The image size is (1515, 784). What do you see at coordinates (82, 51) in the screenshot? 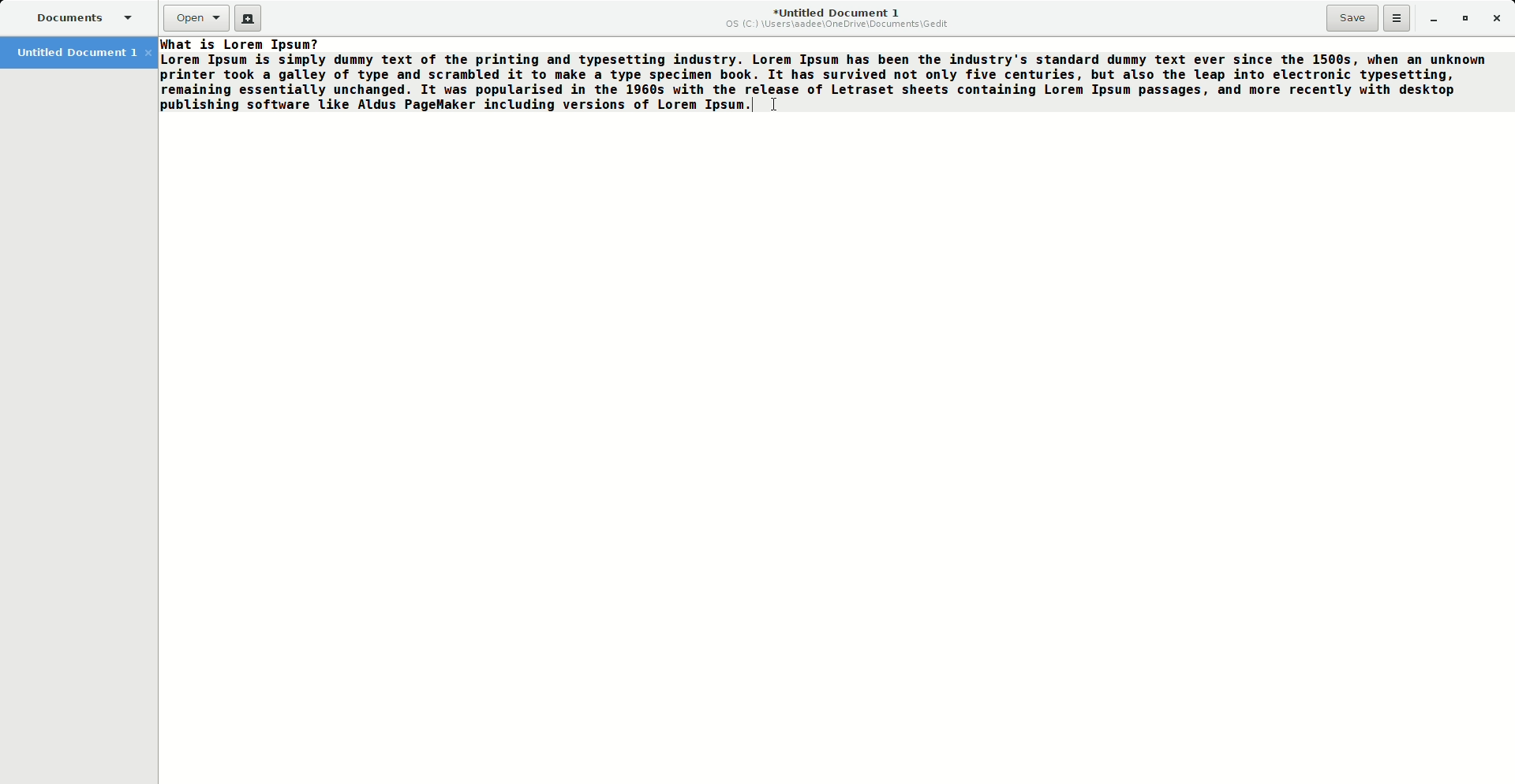
I see `Untitled Document` at bounding box center [82, 51].